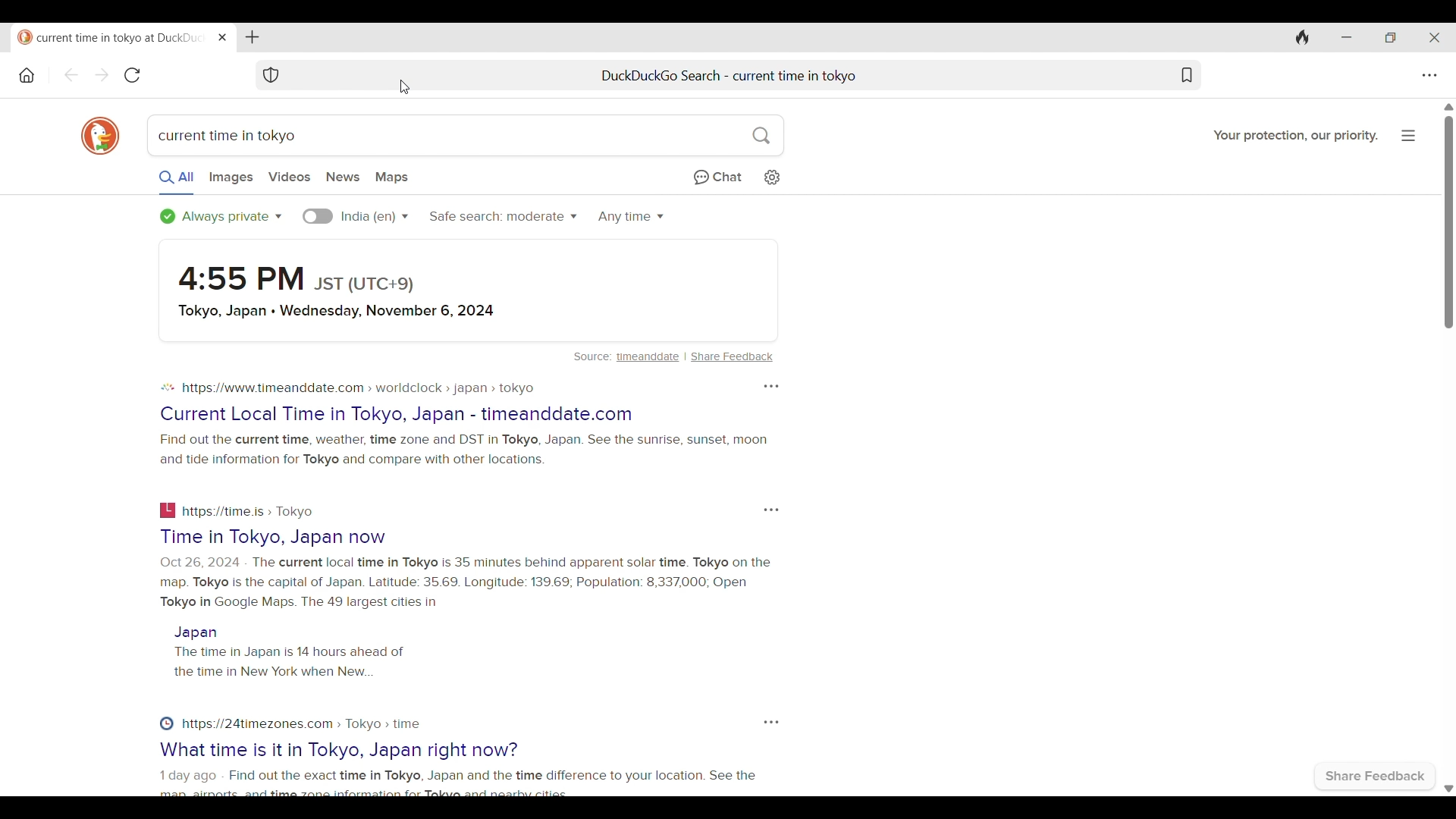 This screenshot has width=1456, height=819. What do you see at coordinates (771, 386) in the screenshot?
I see `More settings` at bounding box center [771, 386].